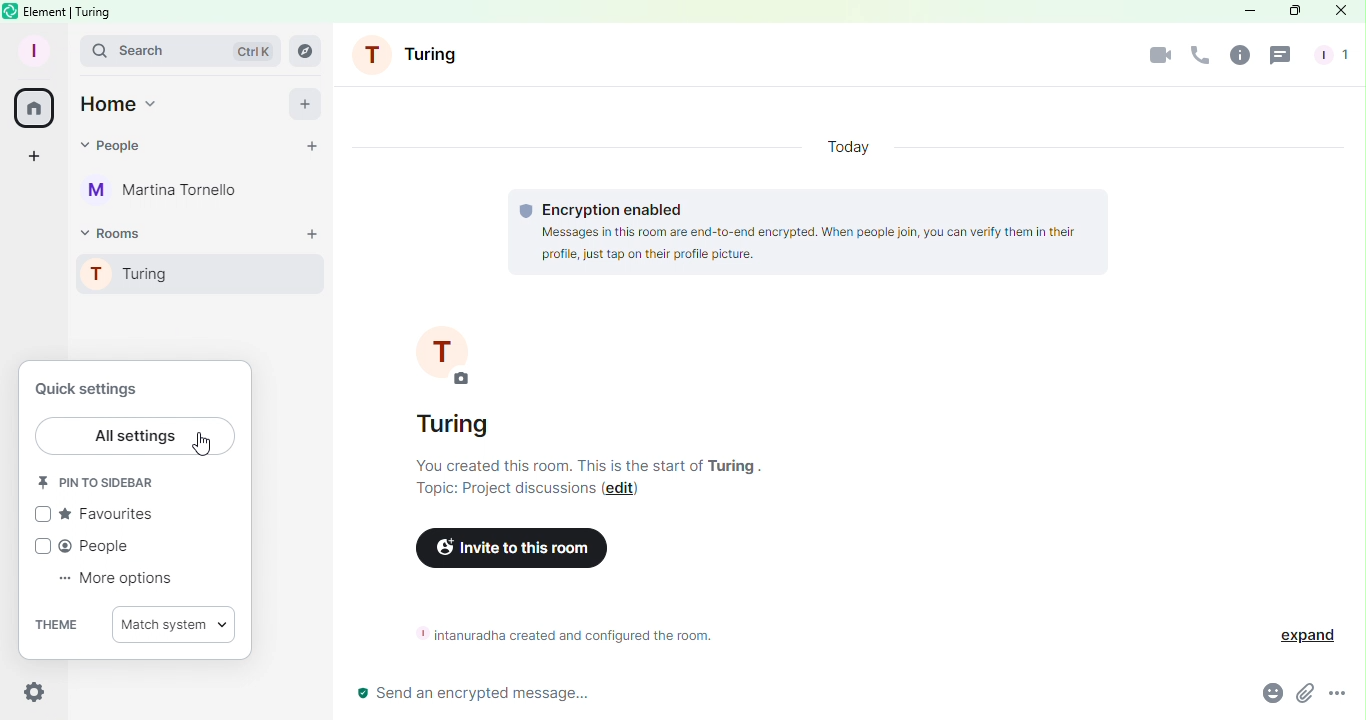 The image size is (1366, 720). I want to click on Turing ., so click(735, 465).